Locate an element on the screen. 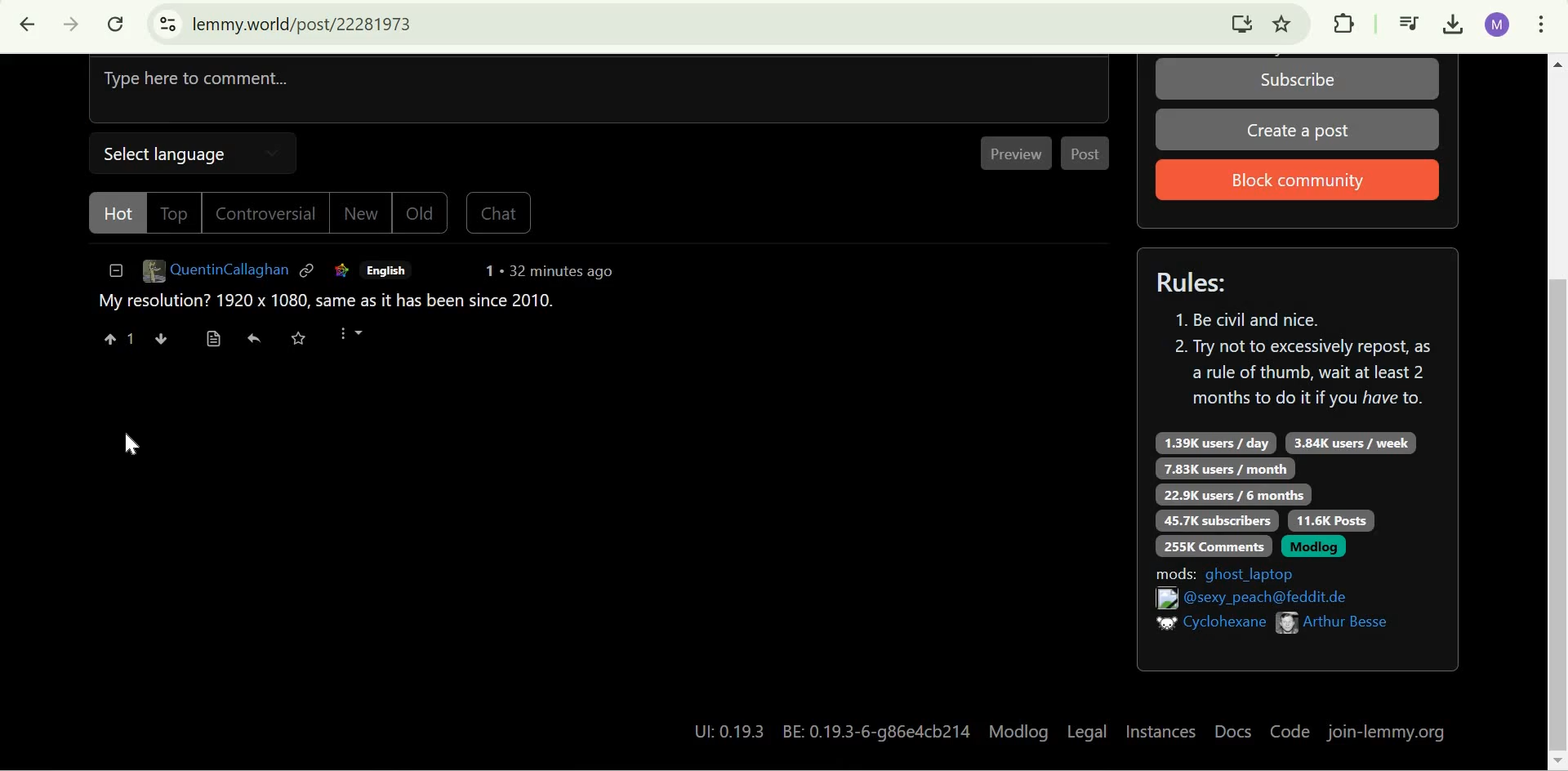  1 upvote is located at coordinates (114, 338).